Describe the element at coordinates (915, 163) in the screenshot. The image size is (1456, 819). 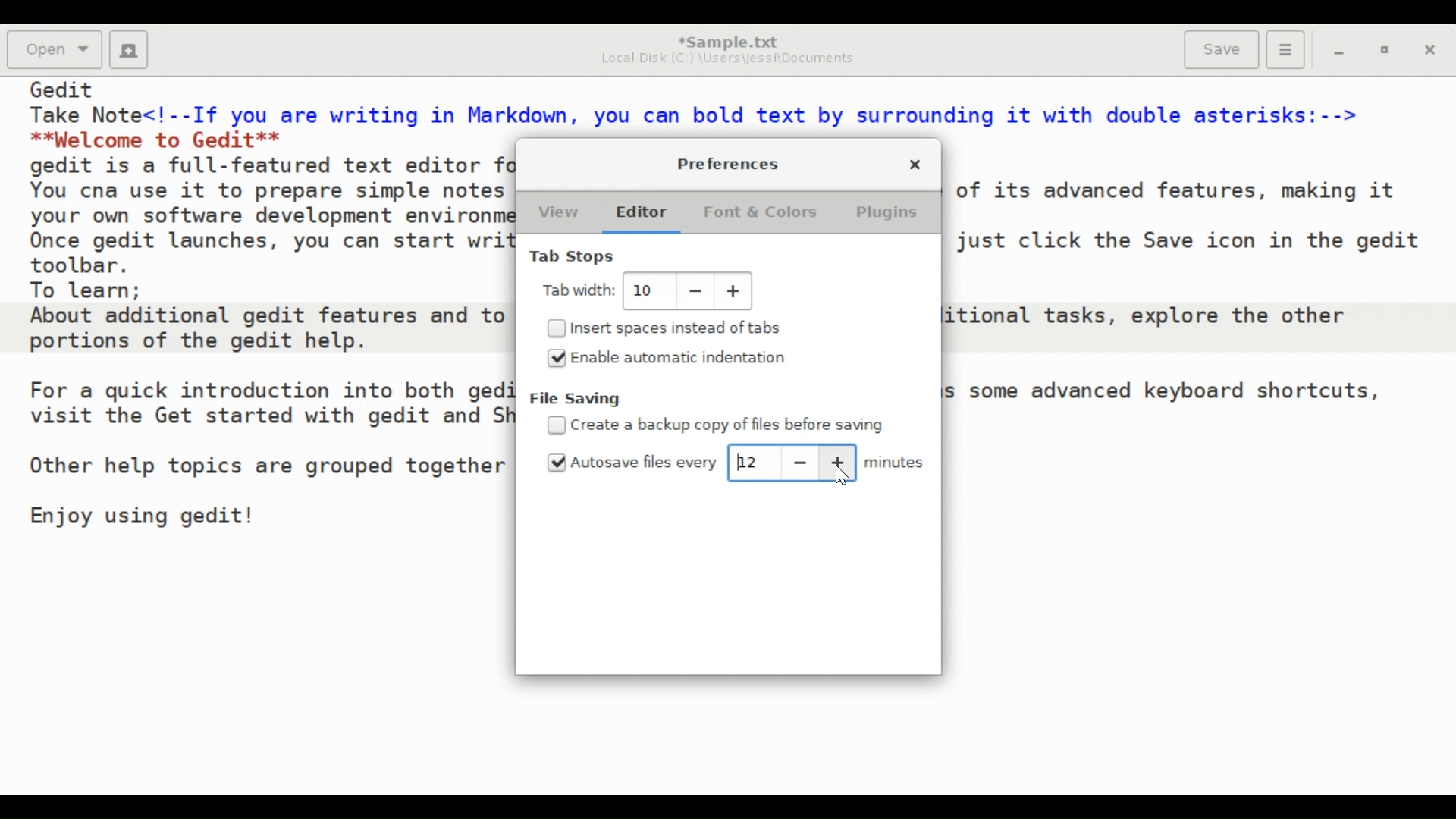
I see `Close` at that location.